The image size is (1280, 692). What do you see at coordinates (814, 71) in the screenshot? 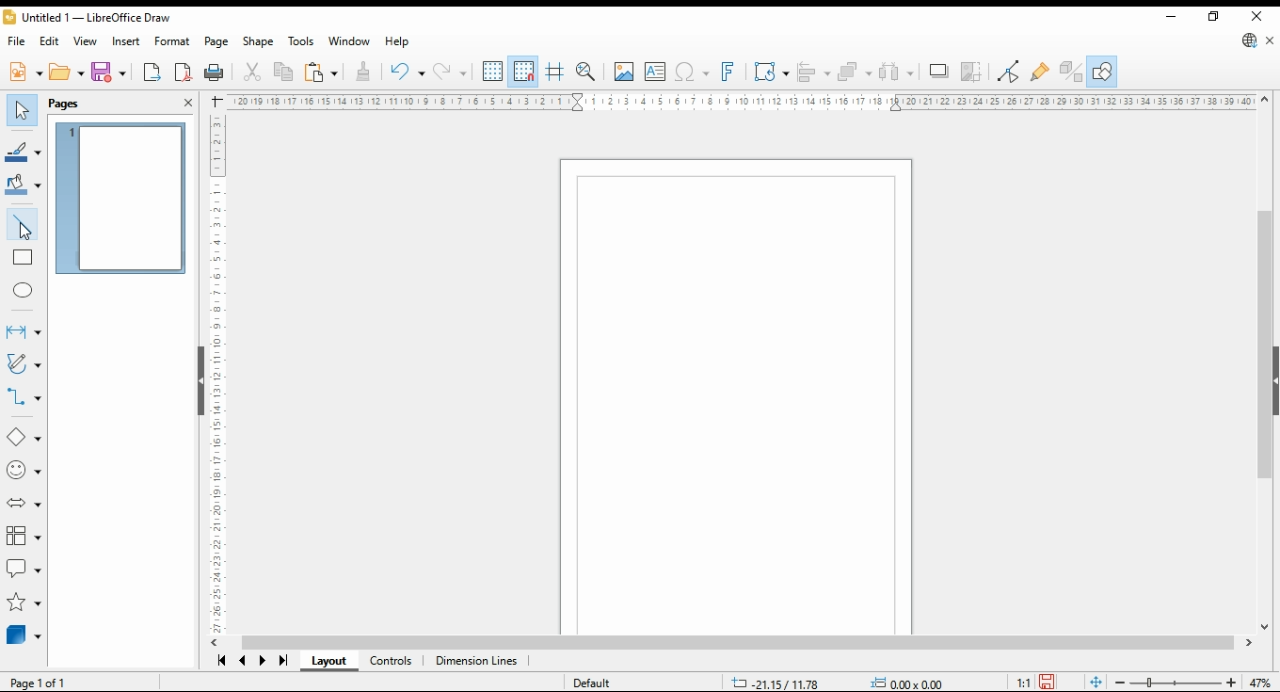
I see `align objects` at bounding box center [814, 71].